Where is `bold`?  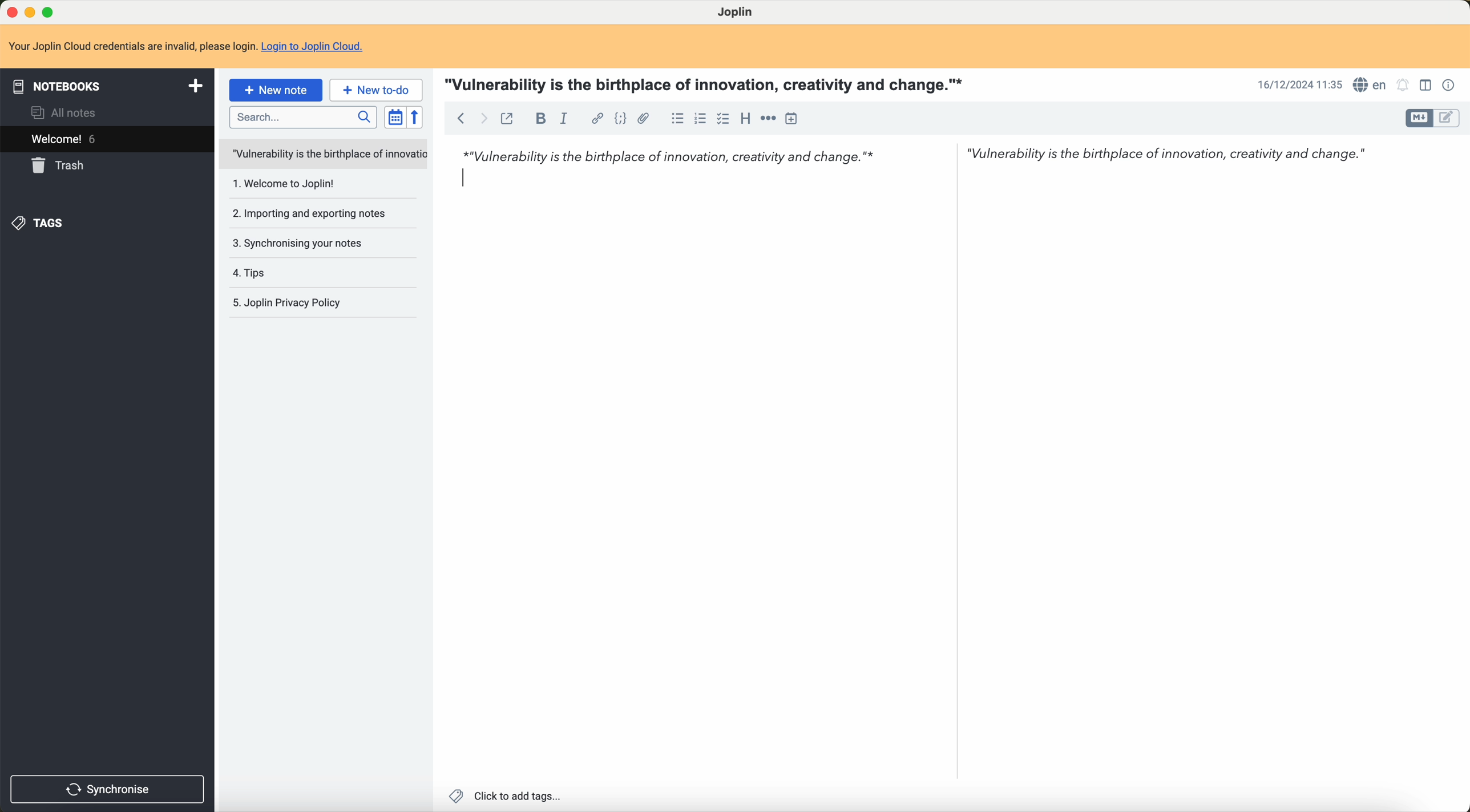
bold is located at coordinates (538, 118).